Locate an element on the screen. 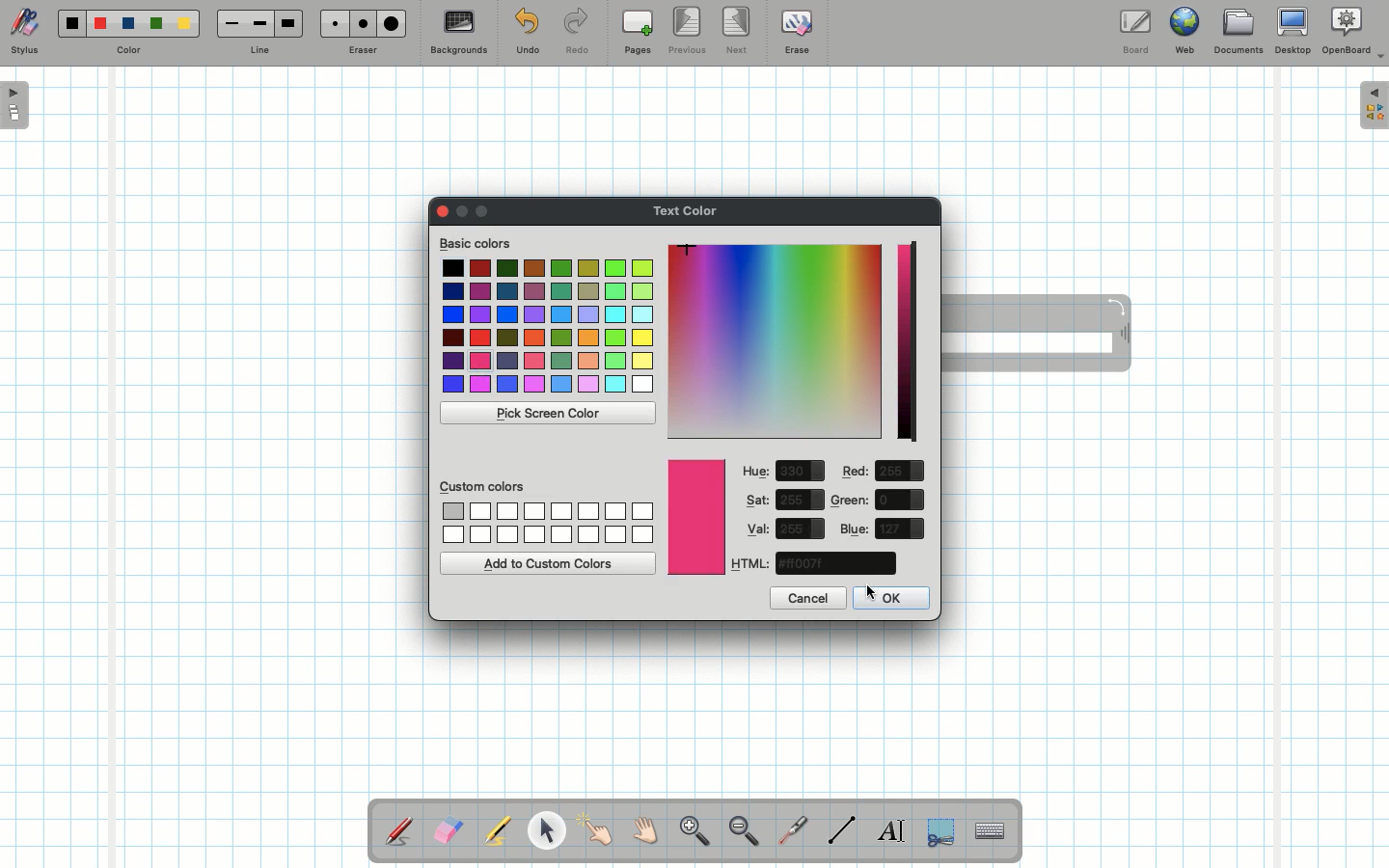  Cancel is located at coordinates (807, 598).